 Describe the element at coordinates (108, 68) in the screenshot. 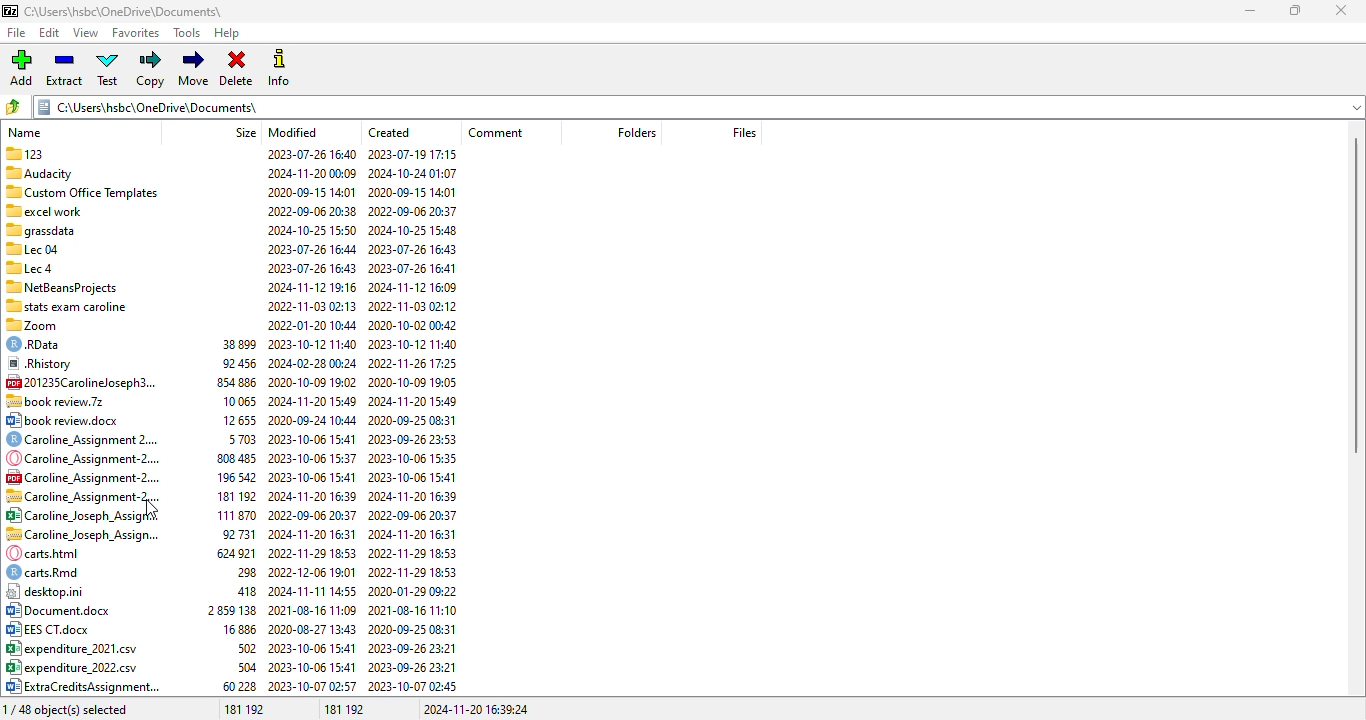

I see `test` at that location.